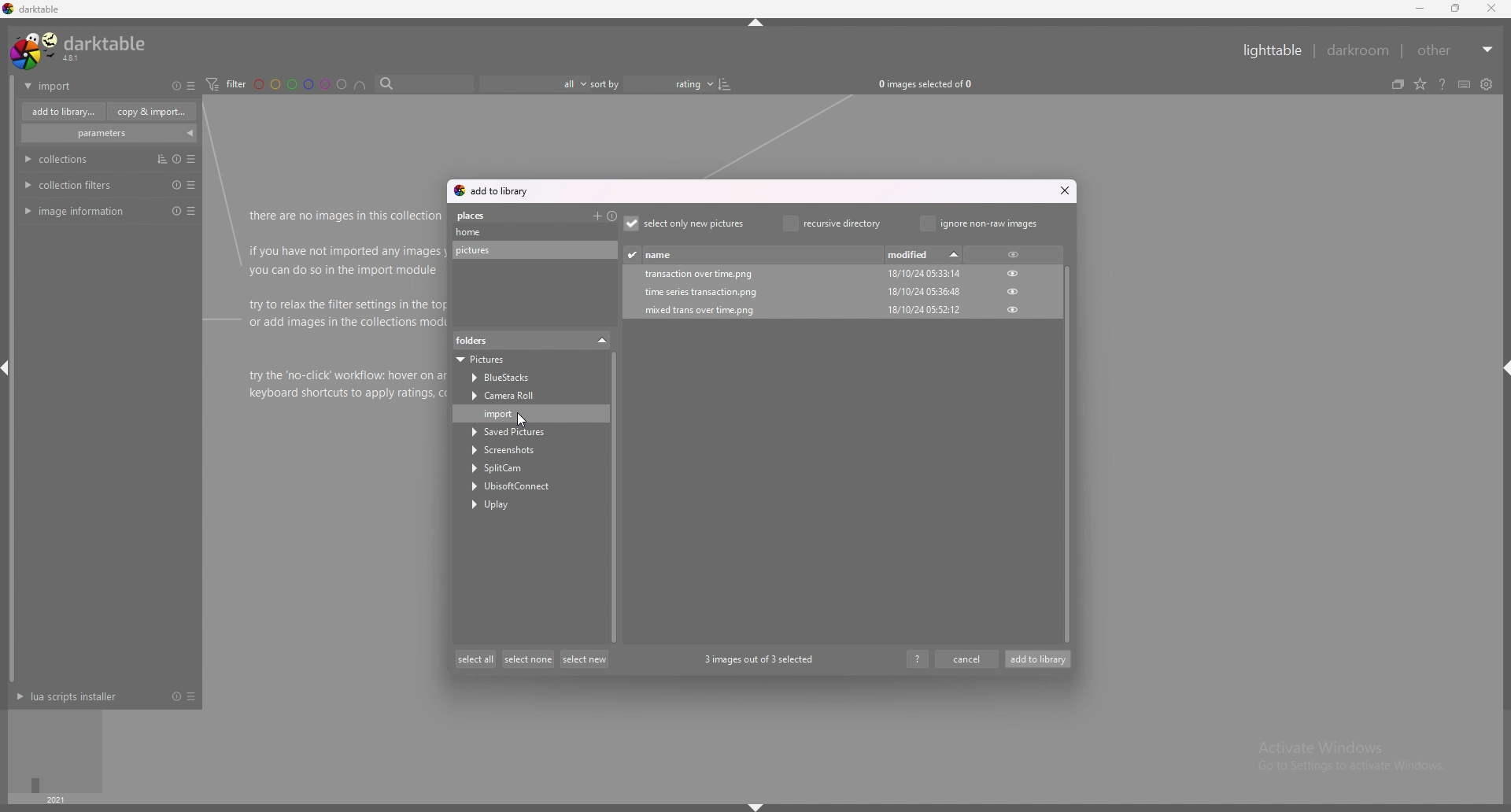  I want to click on presets, so click(191, 184).